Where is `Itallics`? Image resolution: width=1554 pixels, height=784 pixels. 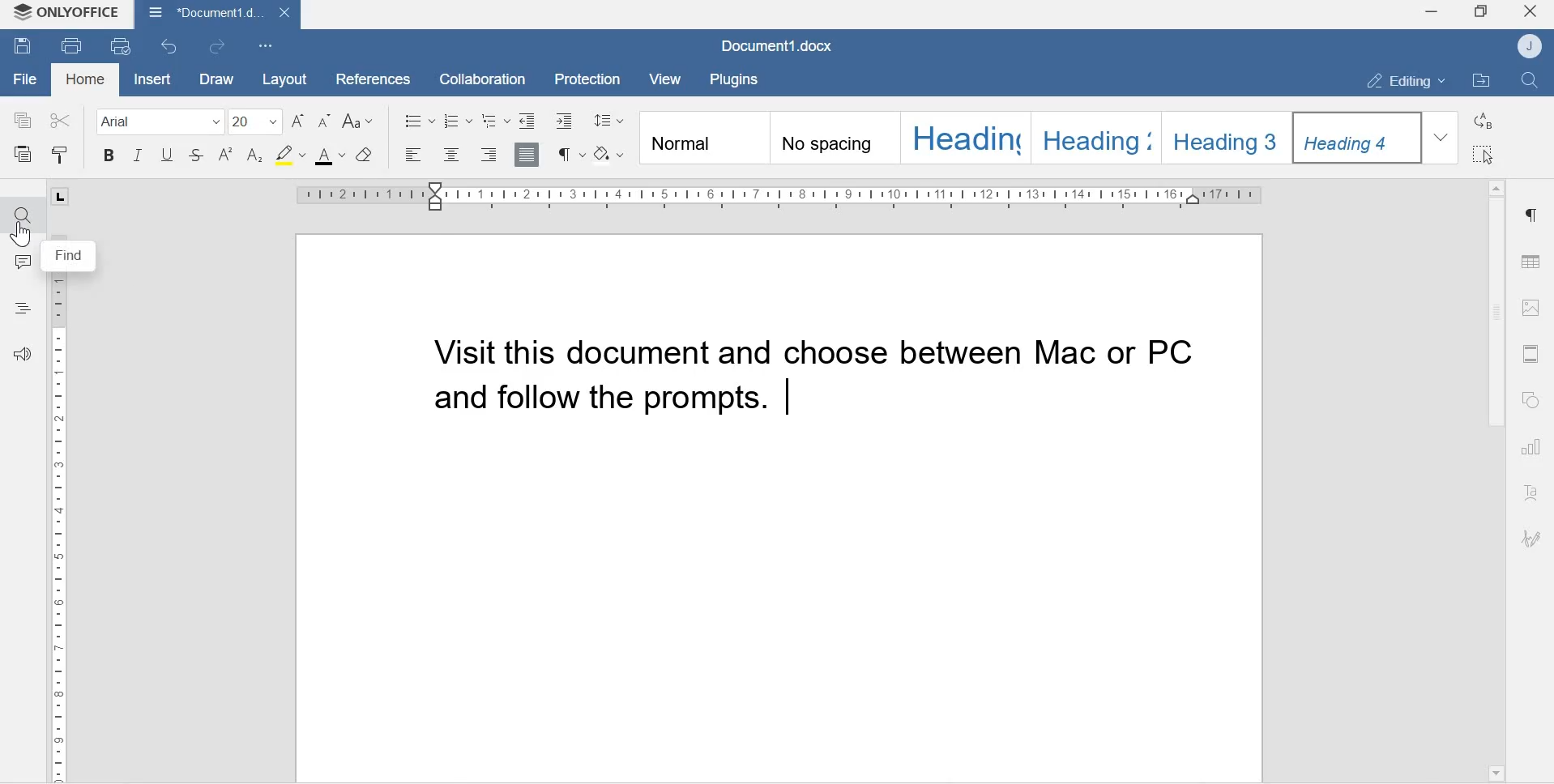
Itallics is located at coordinates (138, 157).